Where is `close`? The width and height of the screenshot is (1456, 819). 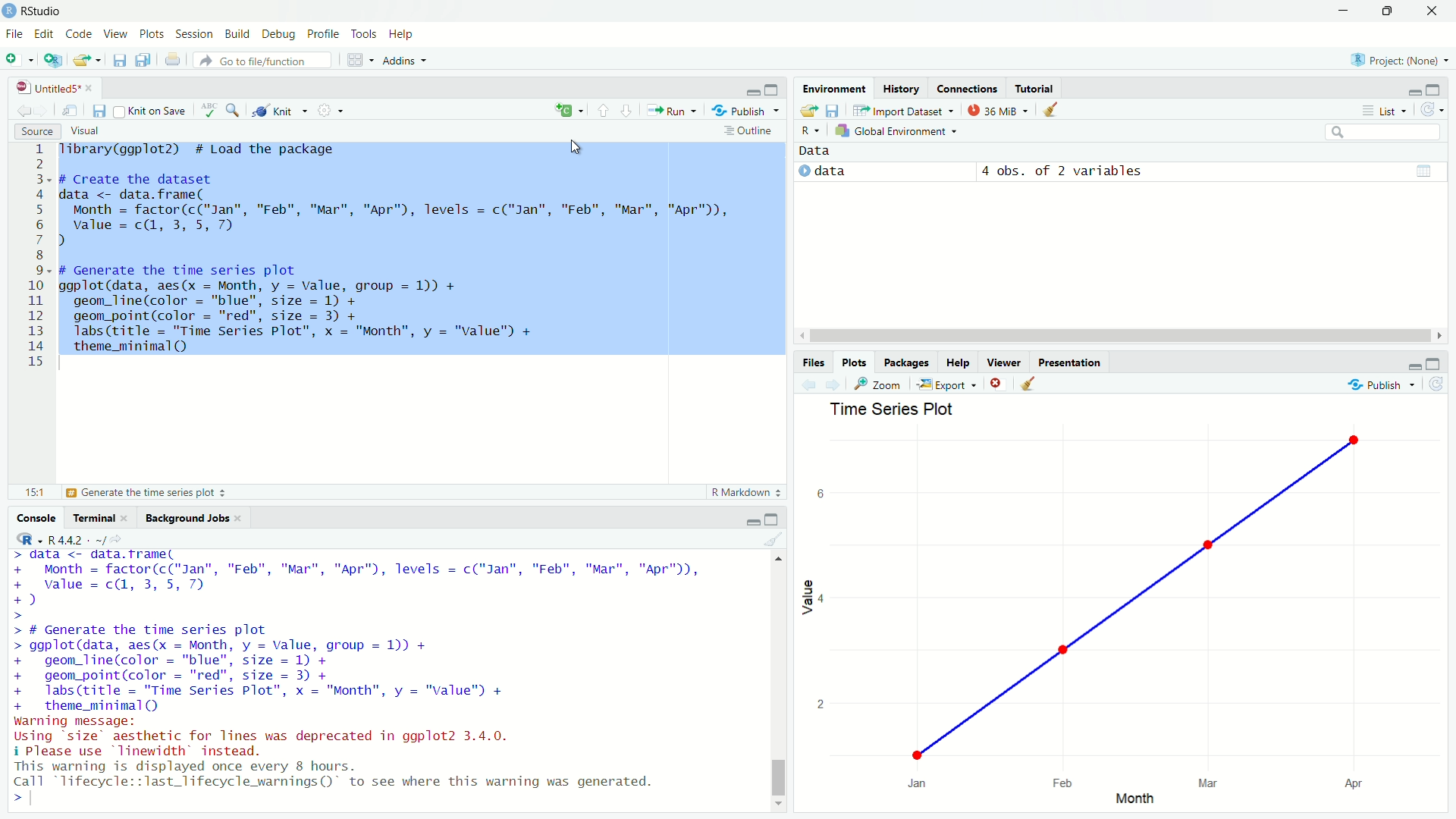
close is located at coordinates (90, 86).